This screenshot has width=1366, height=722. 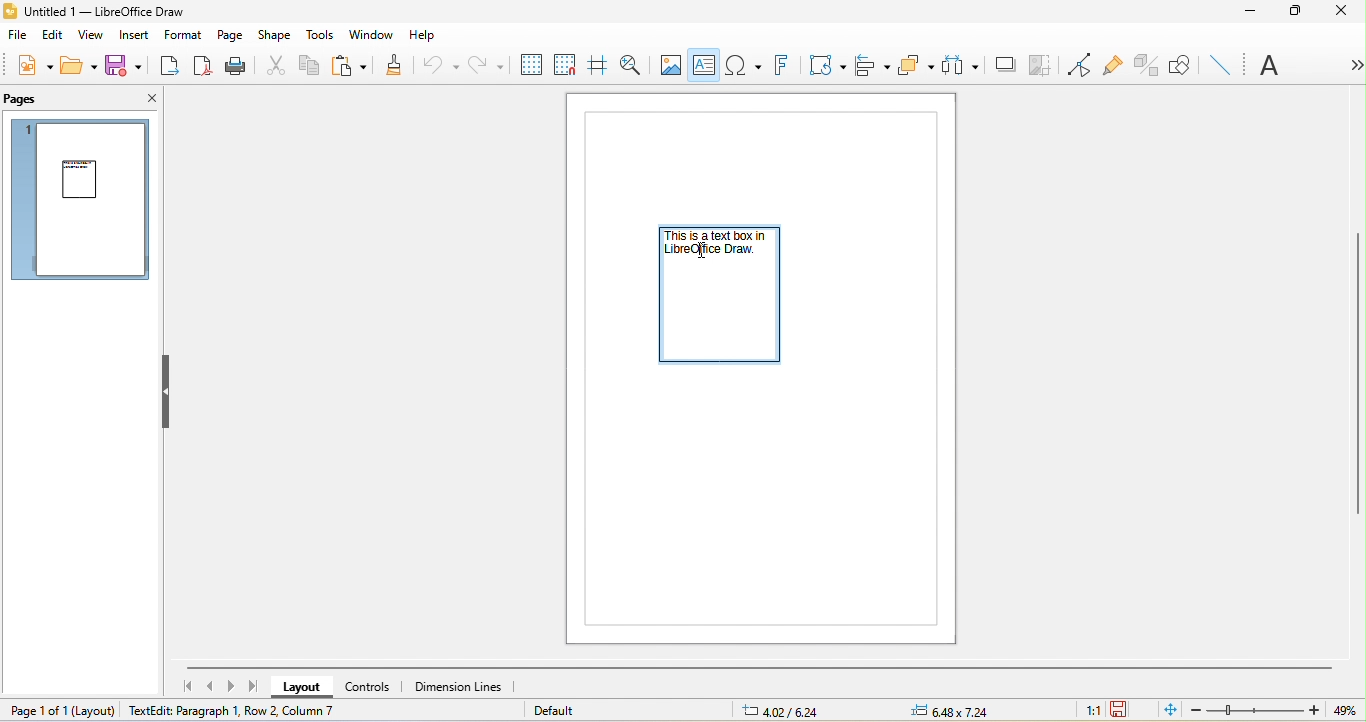 What do you see at coordinates (629, 64) in the screenshot?
I see `zoom and pan` at bounding box center [629, 64].